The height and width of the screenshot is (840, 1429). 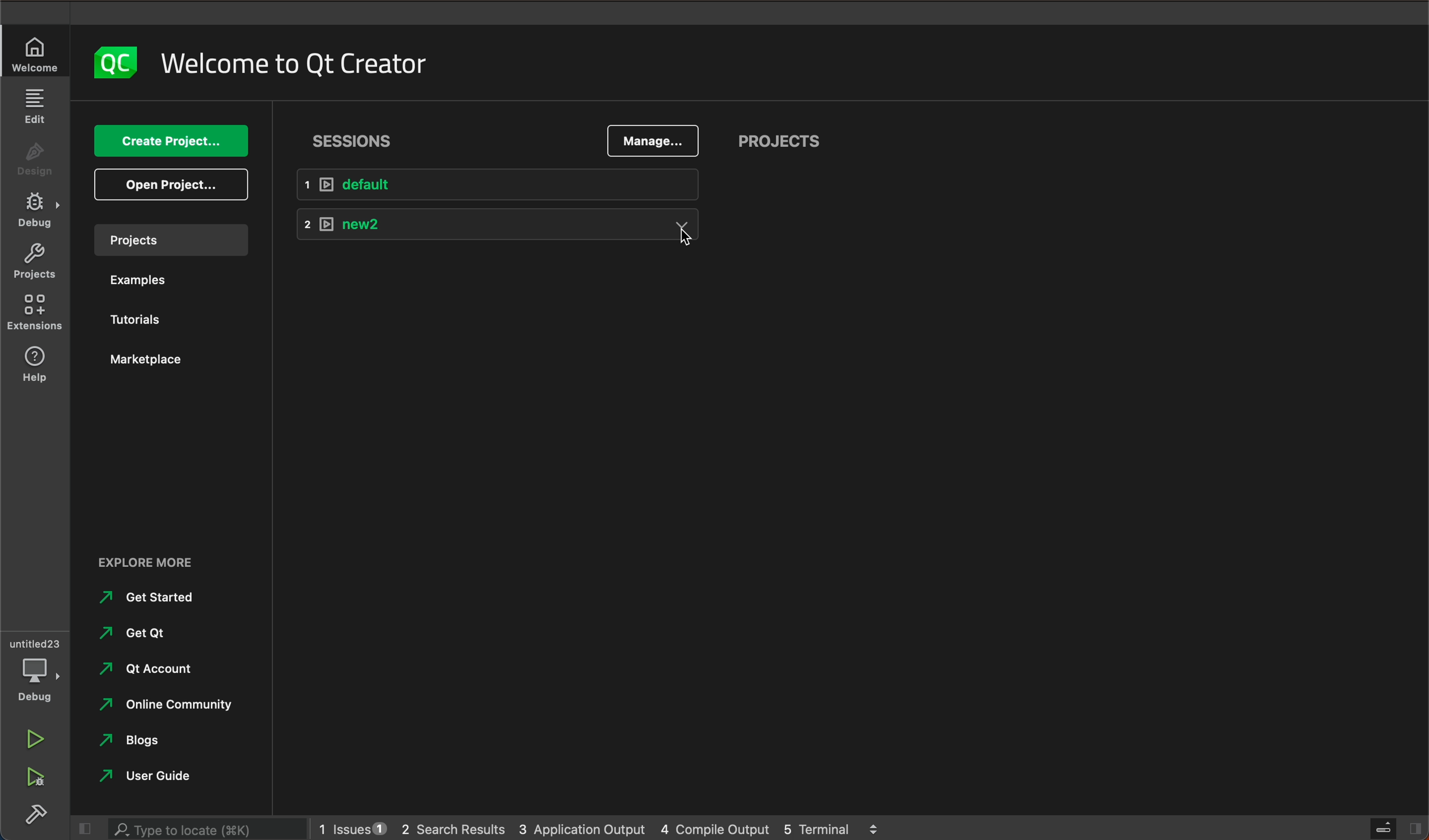 What do you see at coordinates (495, 227) in the screenshot?
I see `new 2 ` at bounding box center [495, 227].